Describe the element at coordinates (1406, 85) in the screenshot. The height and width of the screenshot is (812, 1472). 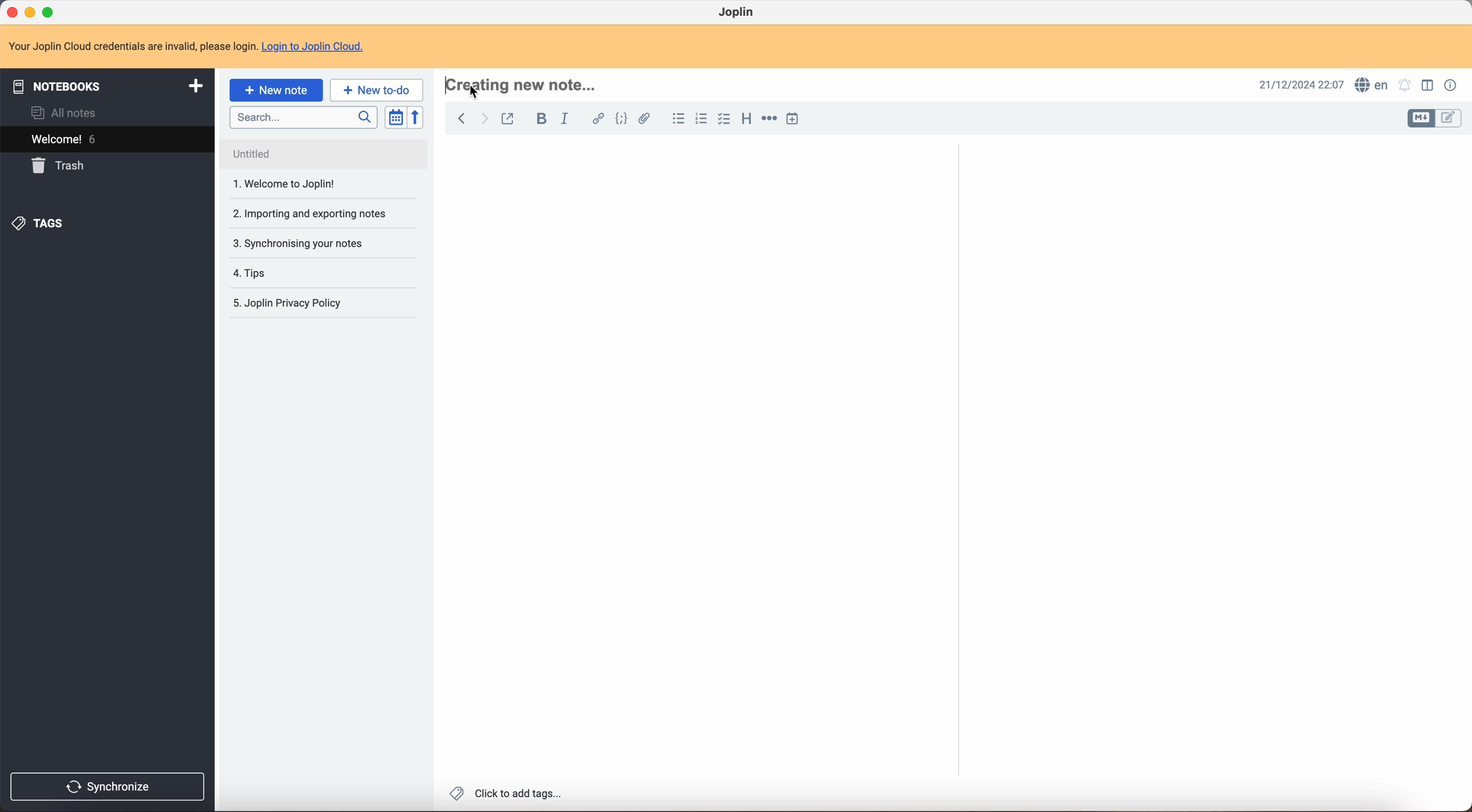
I see `set alarm` at that location.